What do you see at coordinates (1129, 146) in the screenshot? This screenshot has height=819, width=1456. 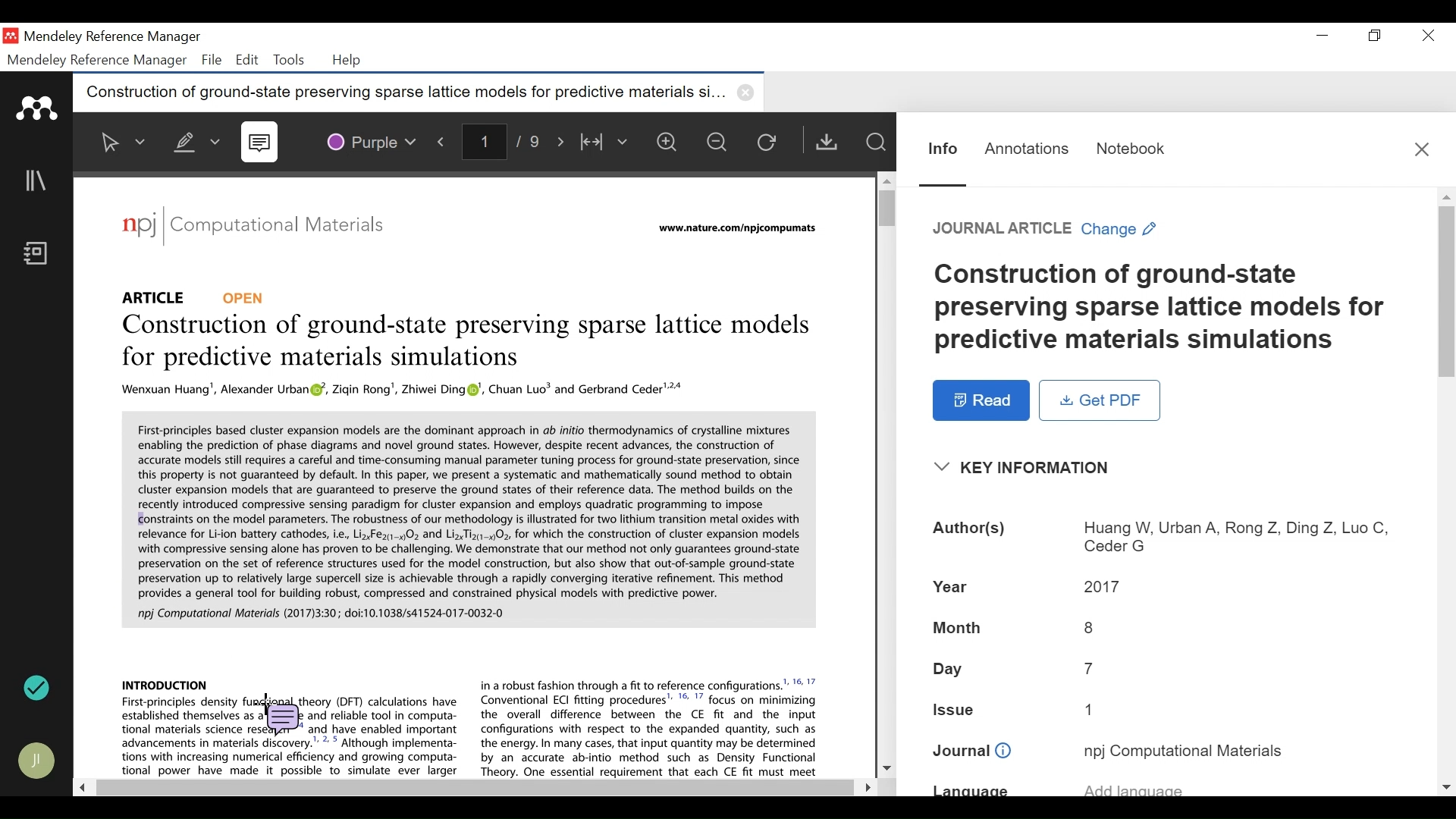 I see `Notebook` at bounding box center [1129, 146].